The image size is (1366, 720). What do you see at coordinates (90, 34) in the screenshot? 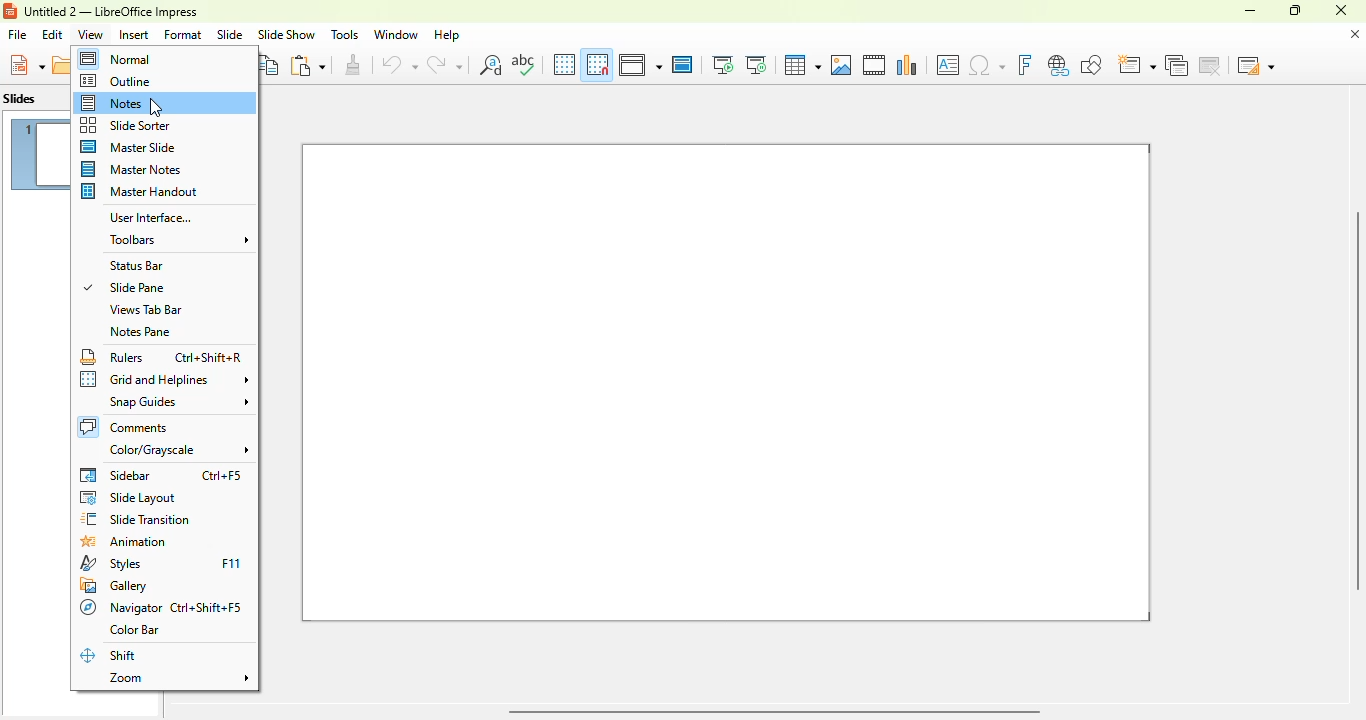
I see `view` at bounding box center [90, 34].